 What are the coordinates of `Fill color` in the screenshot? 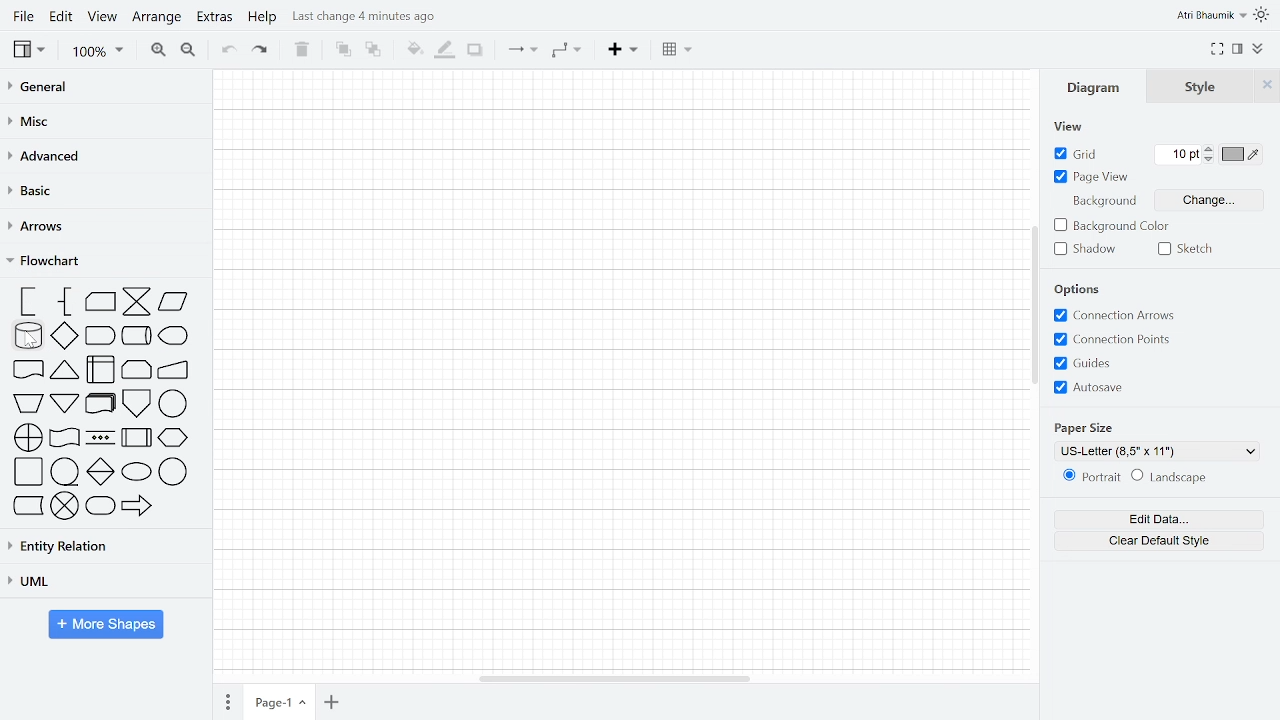 It's located at (413, 51).